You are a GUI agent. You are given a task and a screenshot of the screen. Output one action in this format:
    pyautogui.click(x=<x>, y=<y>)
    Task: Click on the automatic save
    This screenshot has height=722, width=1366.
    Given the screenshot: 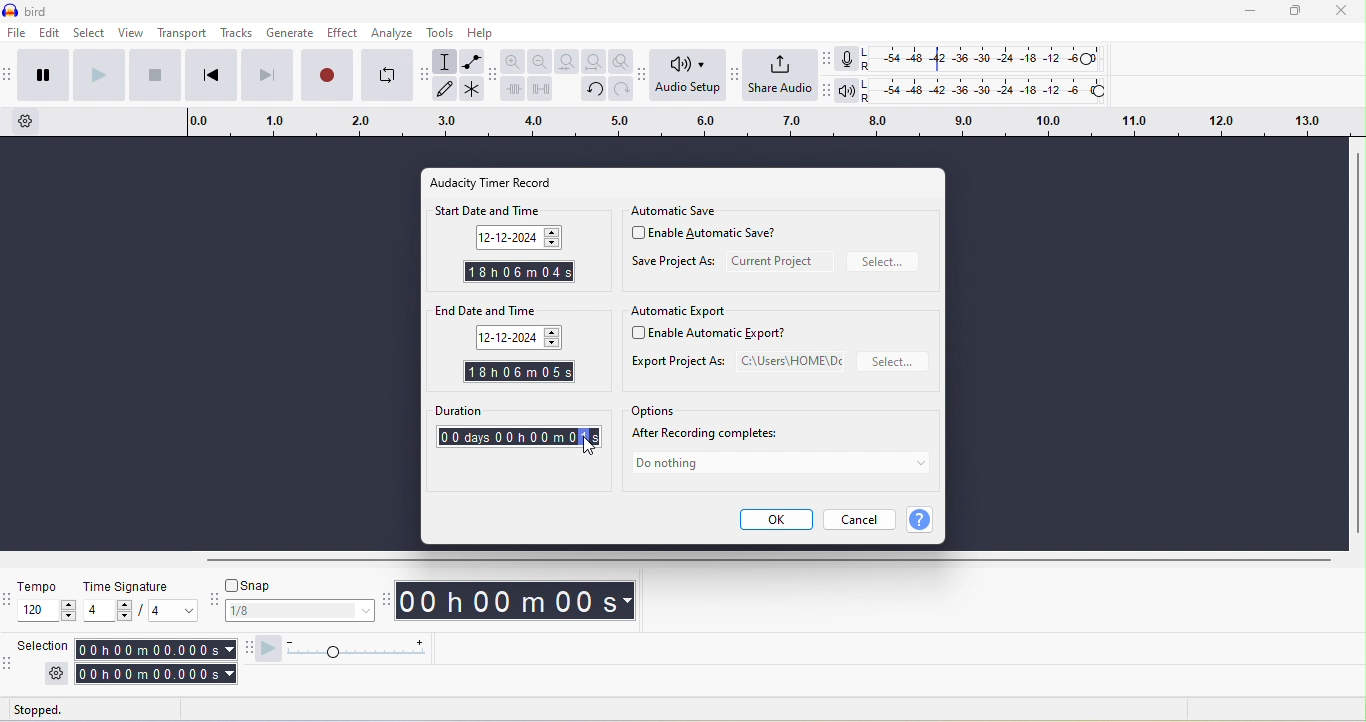 What is the action you would take?
    pyautogui.click(x=680, y=209)
    